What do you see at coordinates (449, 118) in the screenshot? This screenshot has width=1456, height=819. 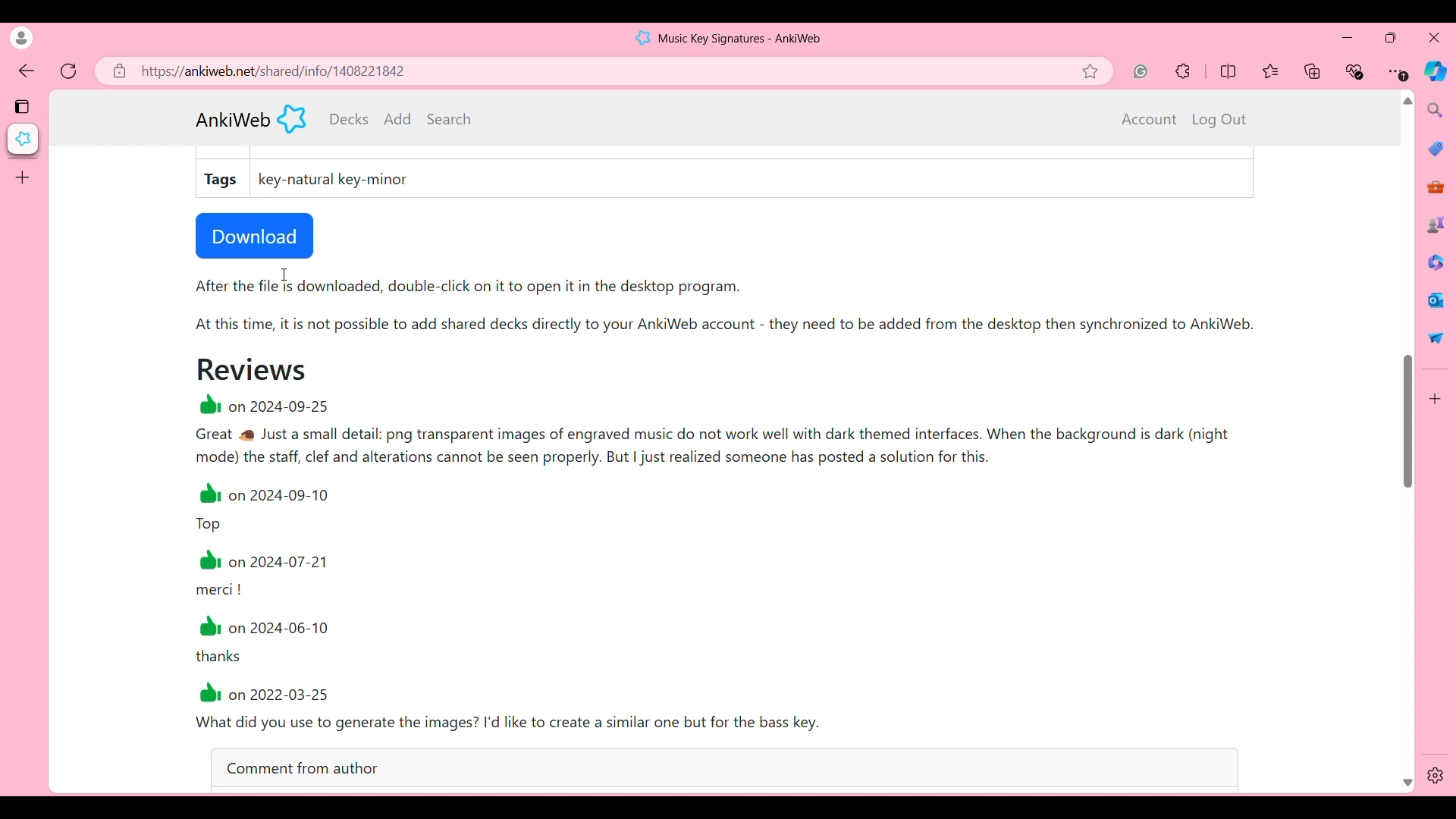 I see `Search` at bounding box center [449, 118].